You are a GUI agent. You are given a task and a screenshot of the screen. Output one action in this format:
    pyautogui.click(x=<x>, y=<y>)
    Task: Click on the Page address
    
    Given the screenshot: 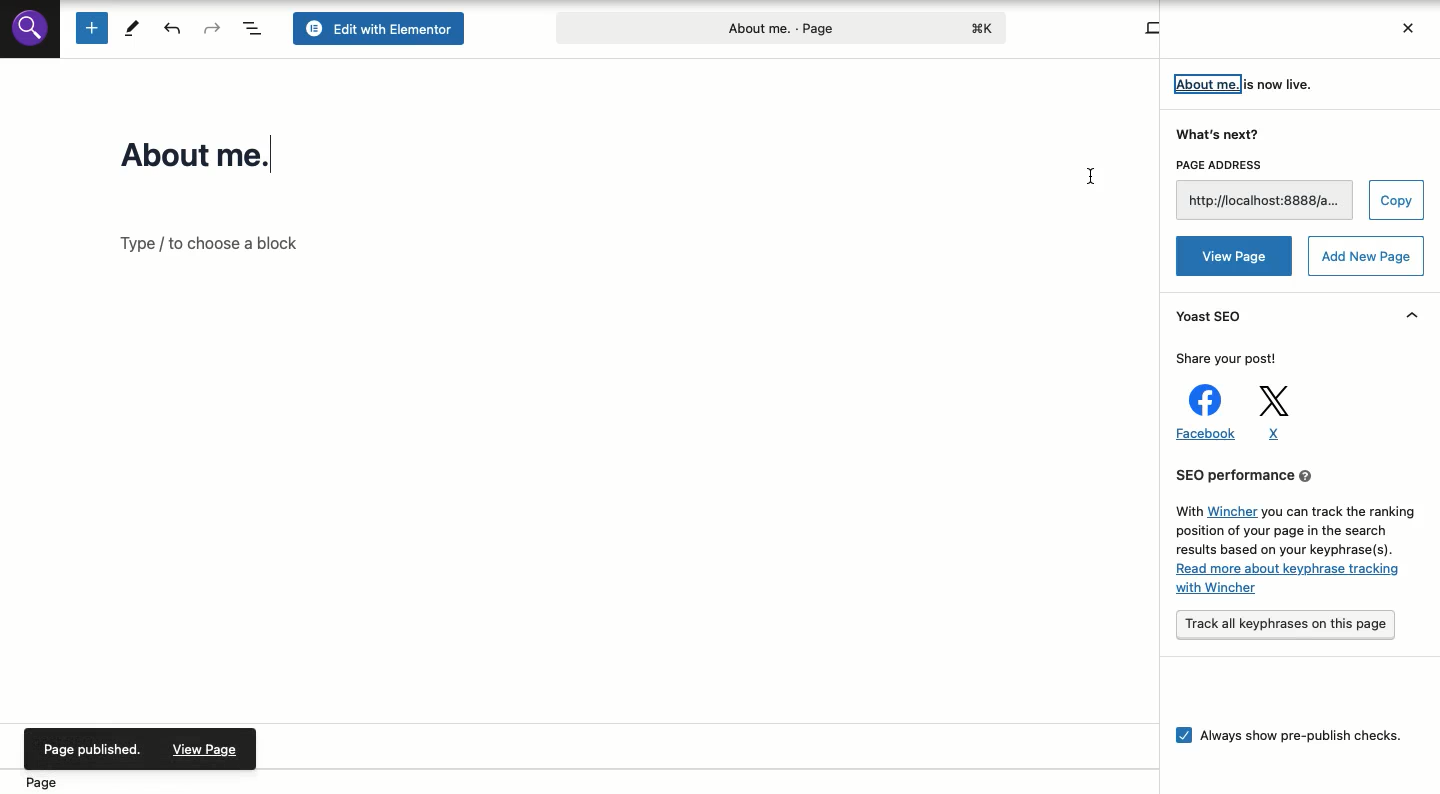 What is the action you would take?
    pyautogui.click(x=1263, y=166)
    